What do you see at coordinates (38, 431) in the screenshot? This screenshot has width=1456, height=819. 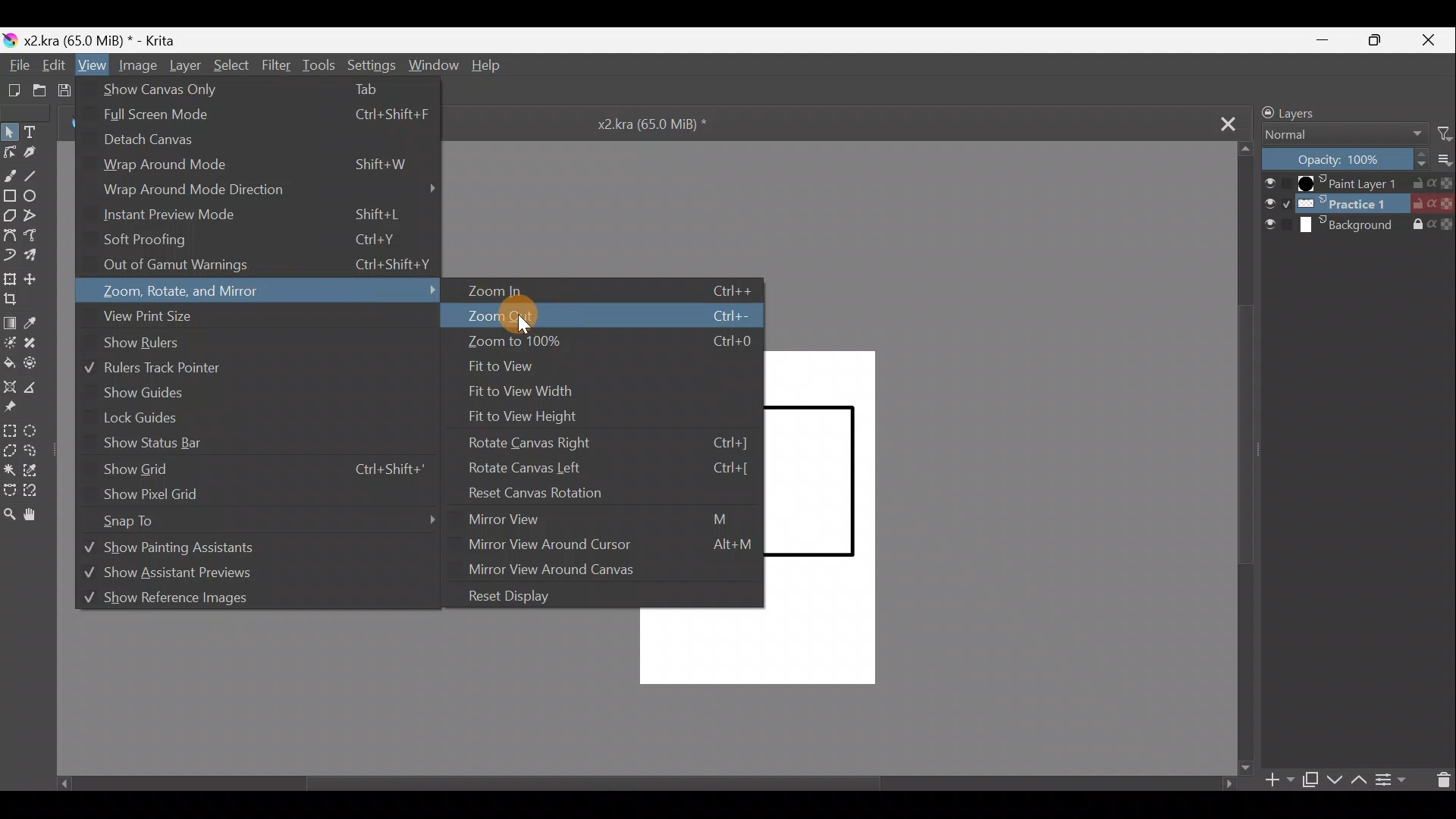 I see `Elliptical selection tool` at bounding box center [38, 431].